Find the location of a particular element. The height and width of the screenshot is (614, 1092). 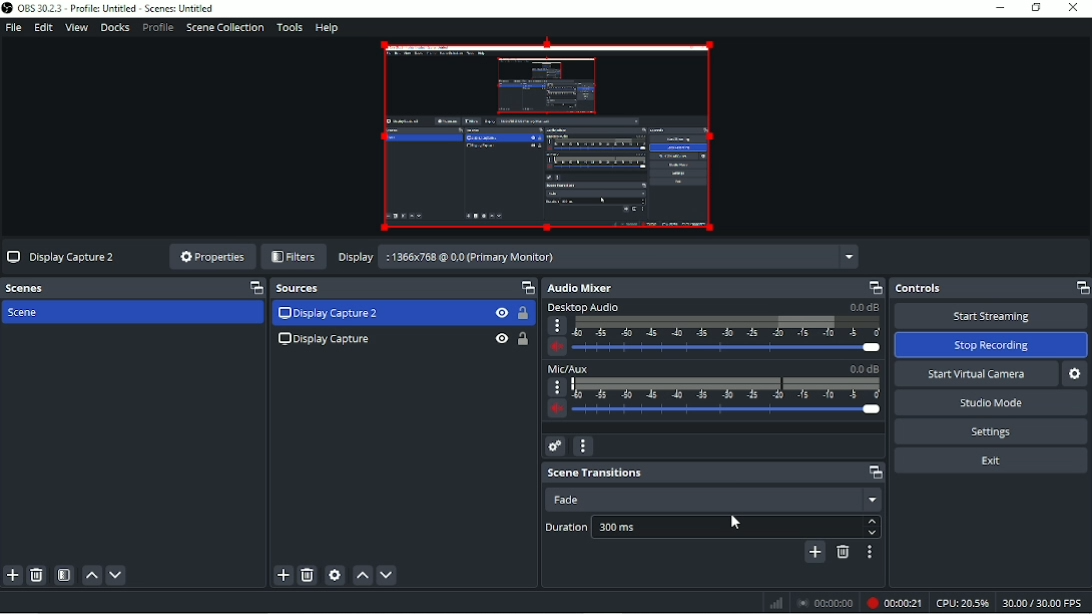

Fade is located at coordinates (712, 497).